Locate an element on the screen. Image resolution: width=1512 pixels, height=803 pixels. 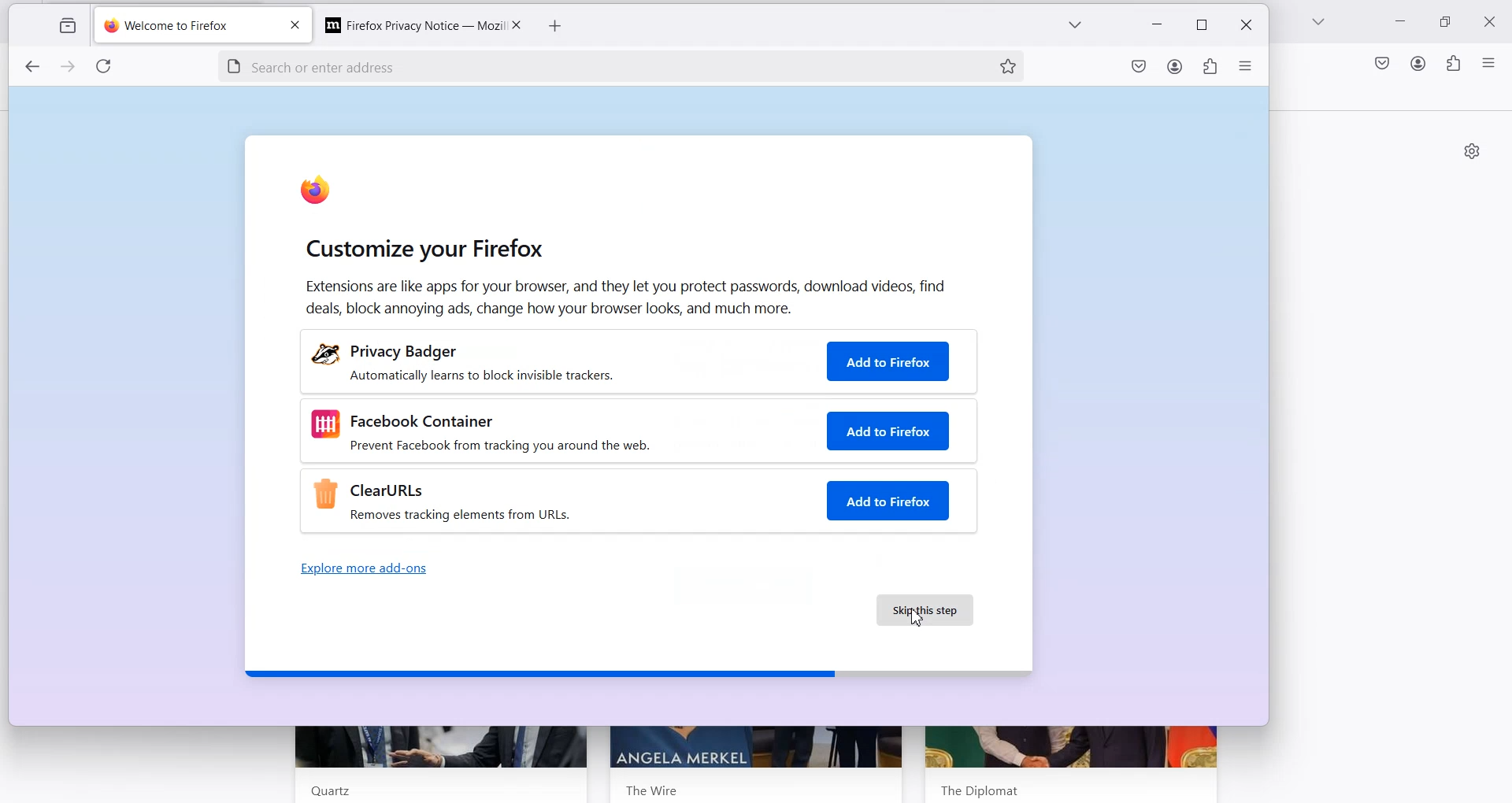
minimize is located at coordinates (1159, 26).